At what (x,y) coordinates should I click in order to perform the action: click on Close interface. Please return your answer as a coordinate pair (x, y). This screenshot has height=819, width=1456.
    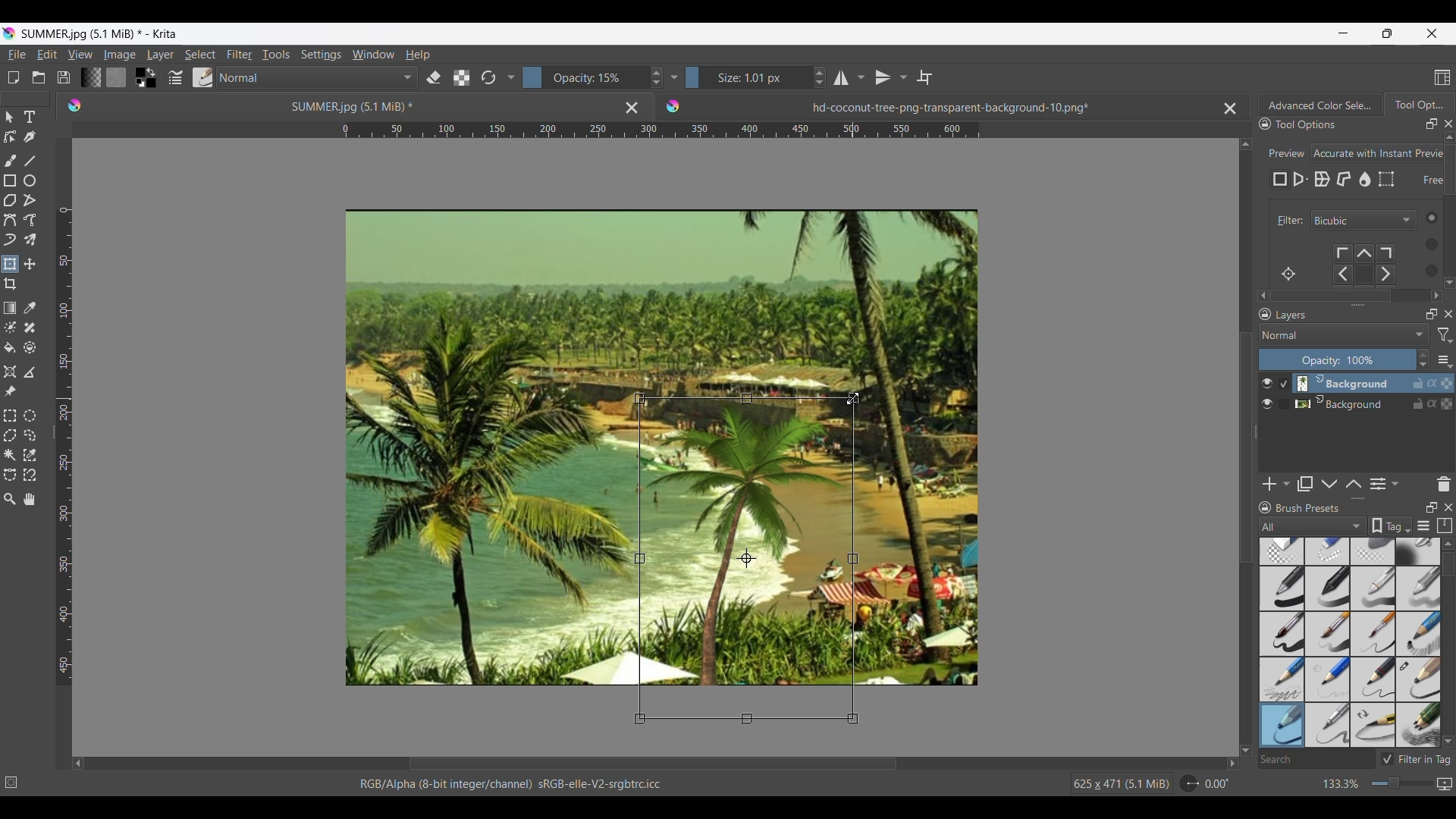
    Looking at the image, I should click on (1432, 33).